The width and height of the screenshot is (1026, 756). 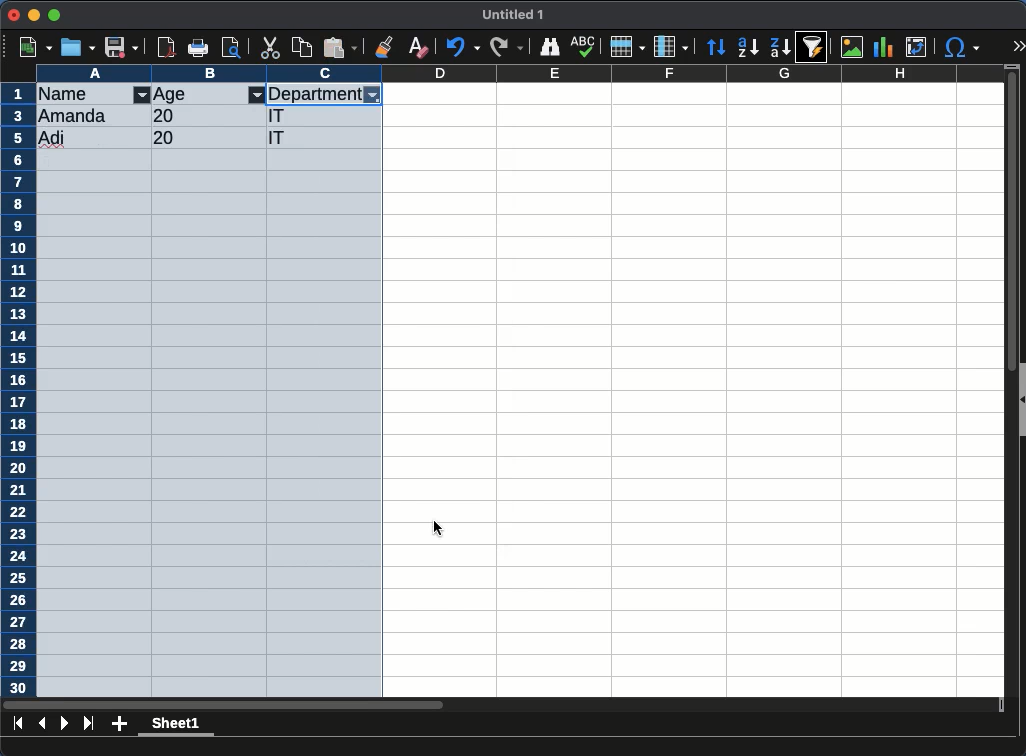 What do you see at coordinates (65, 723) in the screenshot?
I see `next page` at bounding box center [65, 723].